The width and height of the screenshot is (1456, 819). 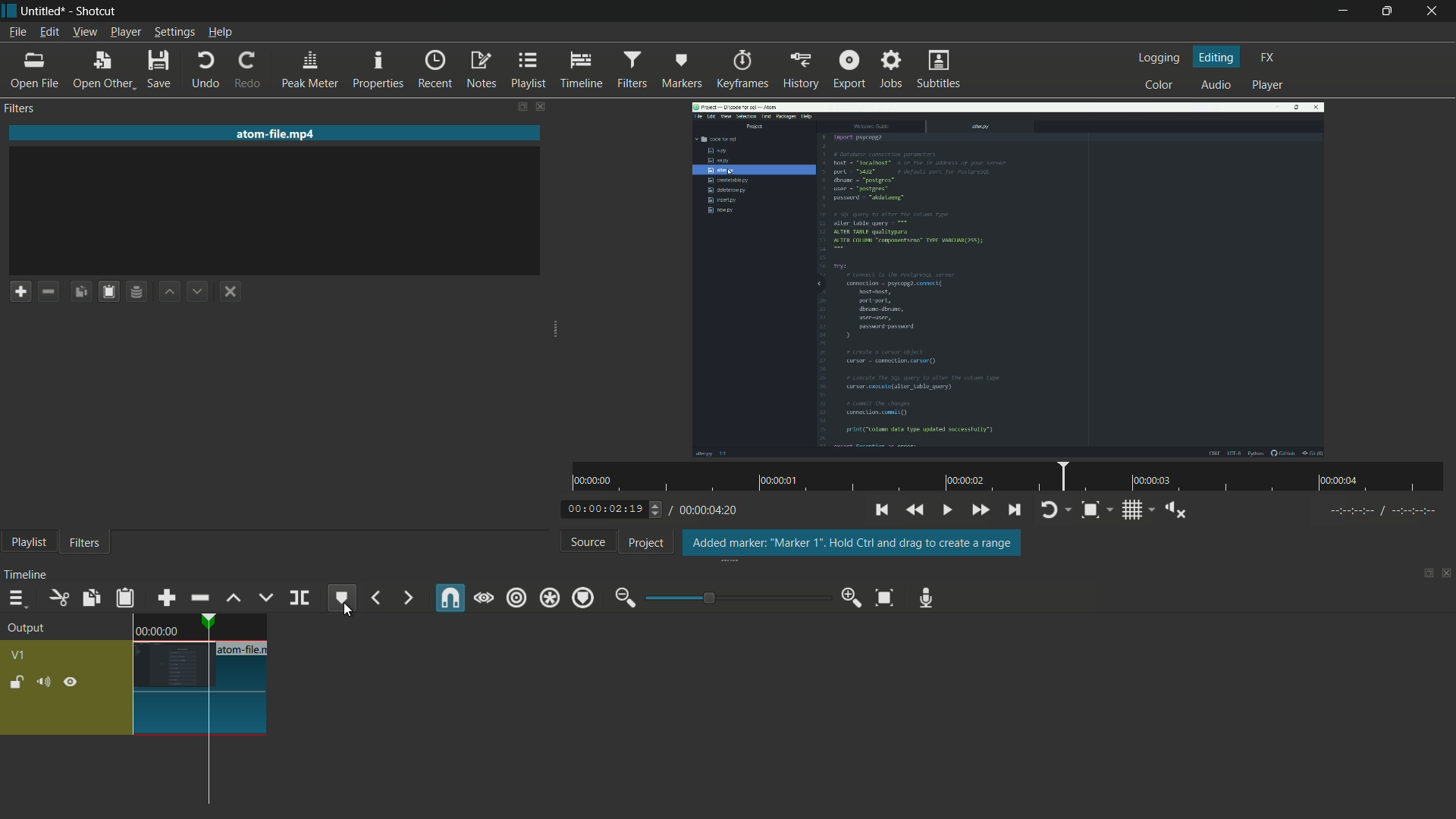 I want to click on change layout, so click(x=1423, y=573).